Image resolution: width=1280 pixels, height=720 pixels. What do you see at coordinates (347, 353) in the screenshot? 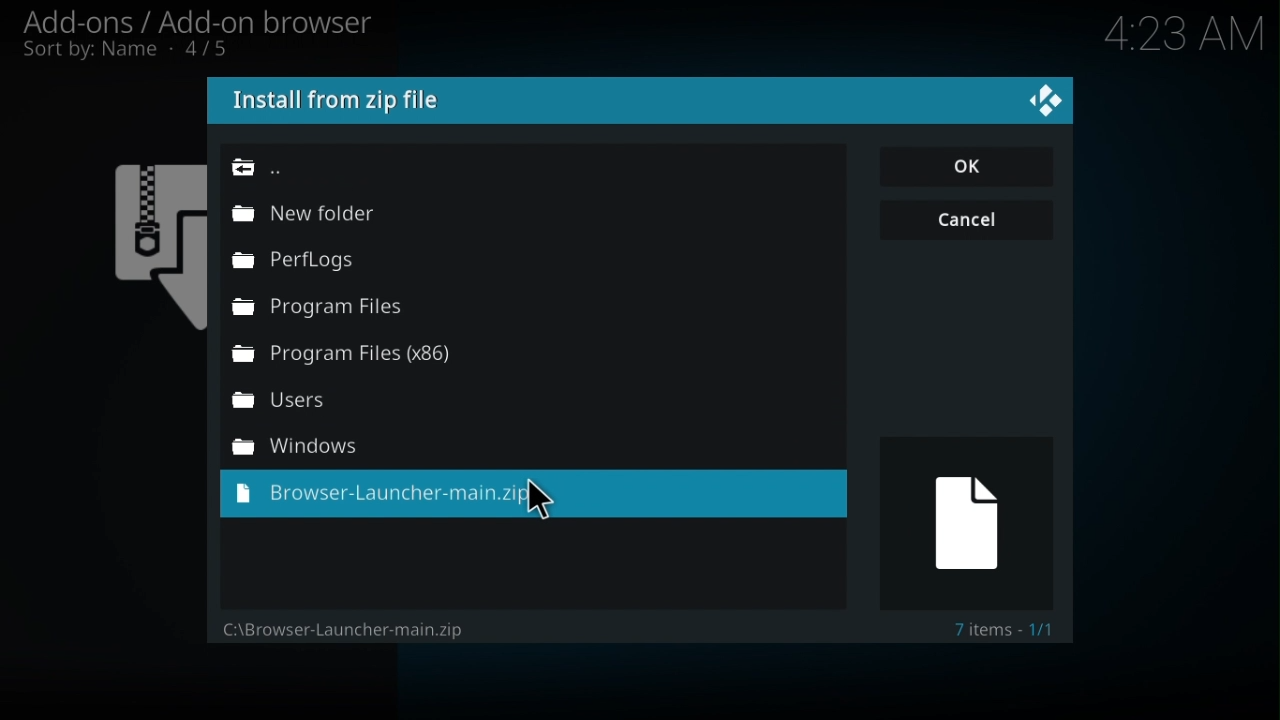
I see `Program files` at bounding box center [347, 353].